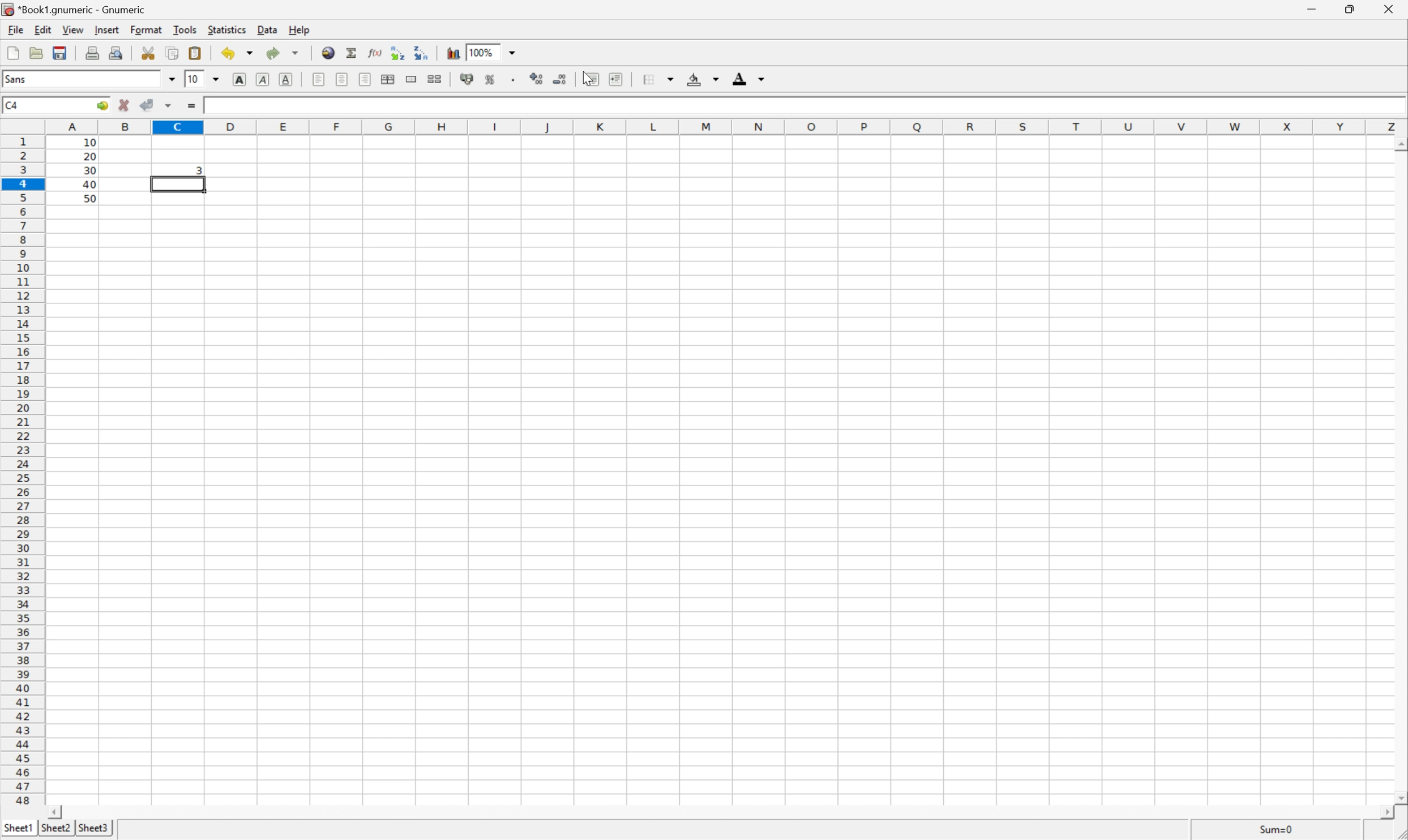  I want to click on Decrease the indent, and align the contents to the left, so click(590, 76).